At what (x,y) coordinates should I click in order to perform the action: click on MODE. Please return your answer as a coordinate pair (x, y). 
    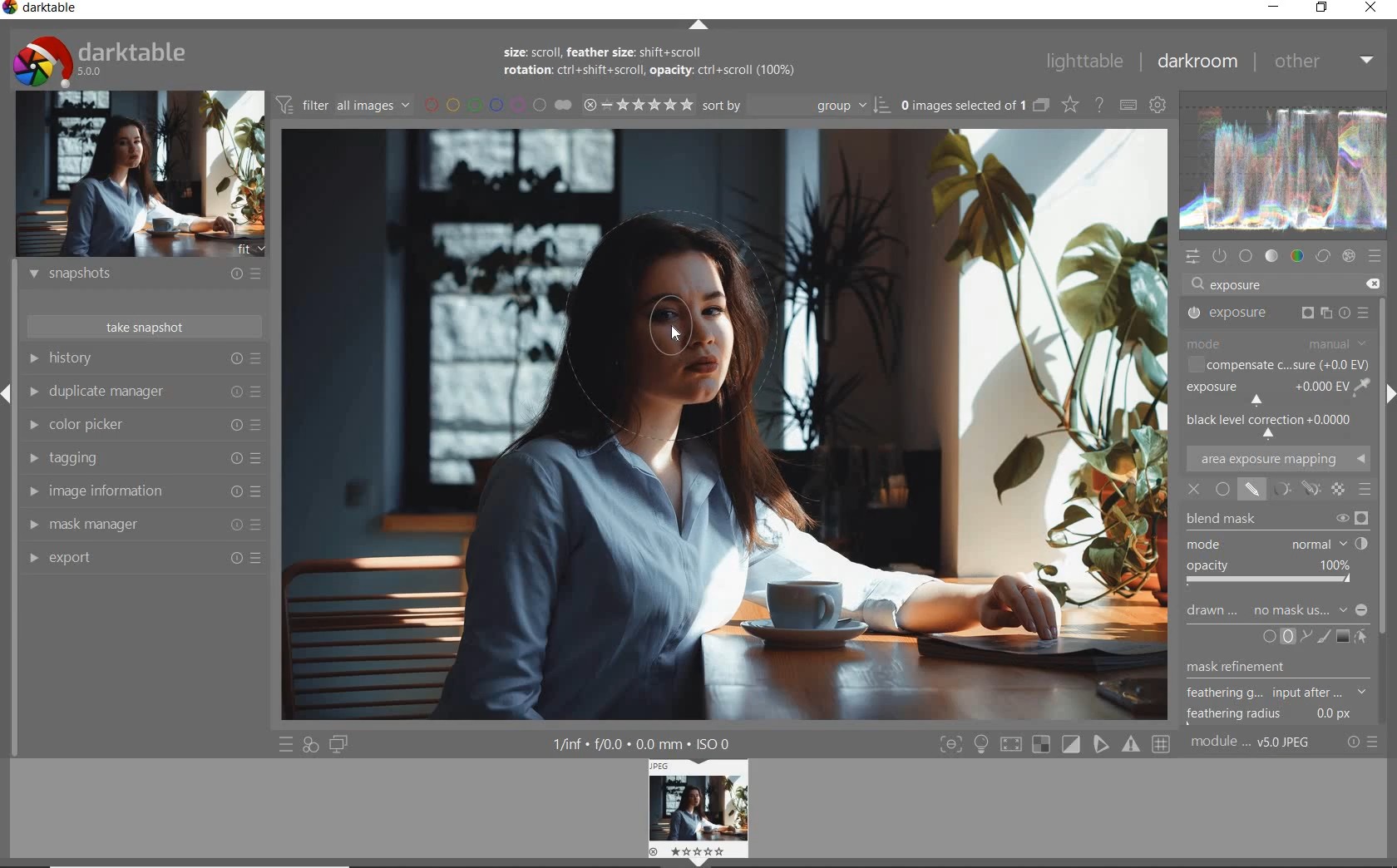
    Looking at the image, I should click on (1278, 344).